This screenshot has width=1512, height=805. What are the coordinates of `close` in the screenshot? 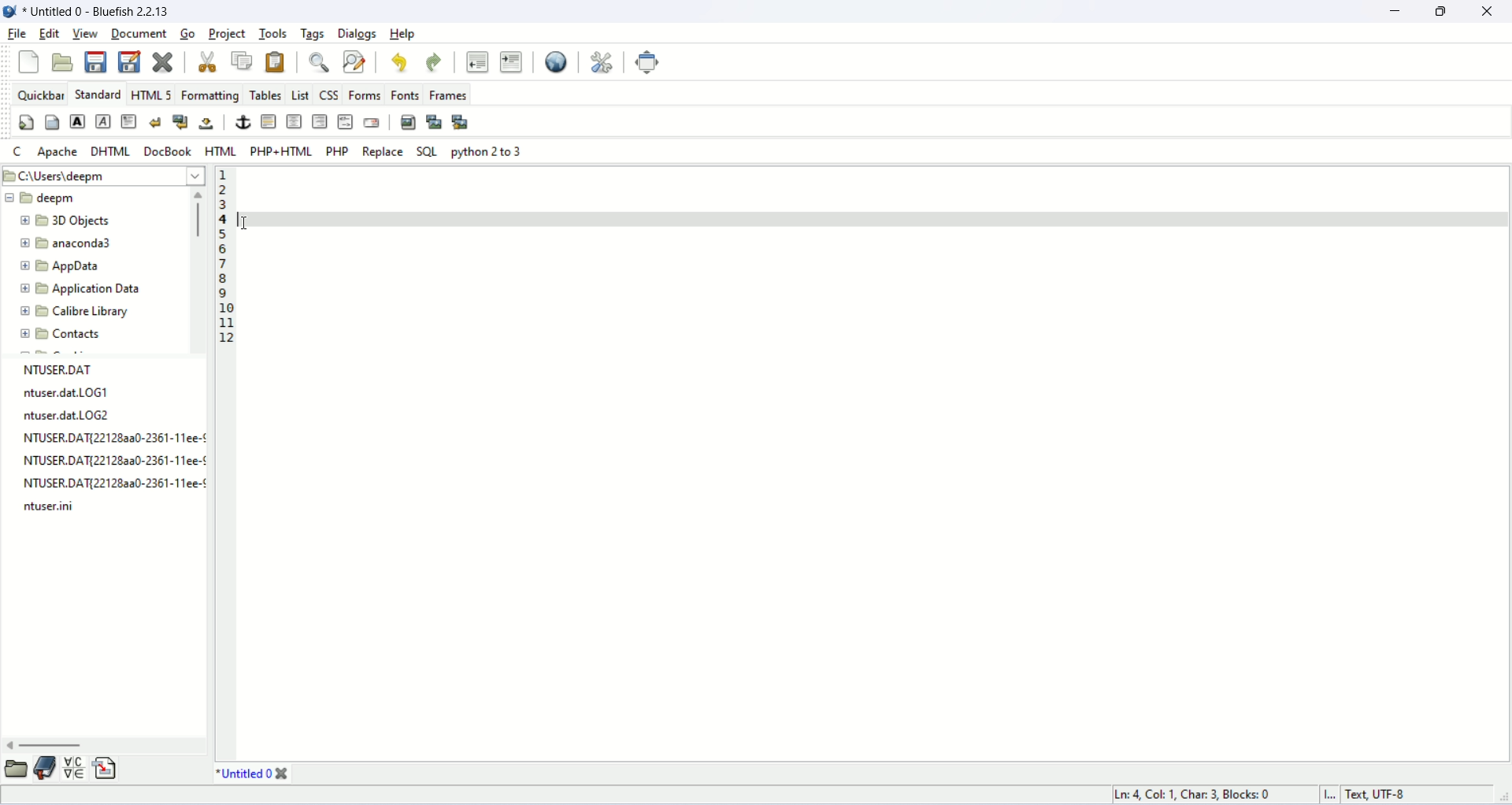 It's located at (1488, 11).